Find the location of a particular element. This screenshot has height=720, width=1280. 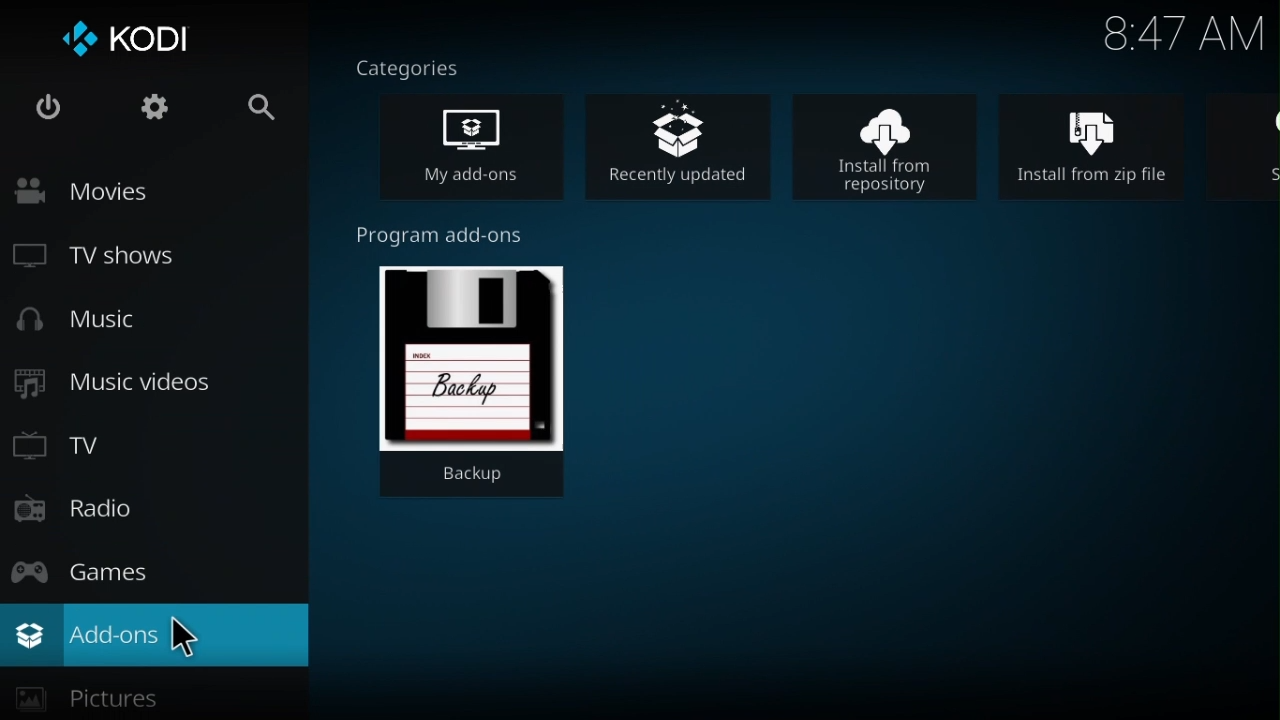

Install from repository is located at coordinates (886, 144).